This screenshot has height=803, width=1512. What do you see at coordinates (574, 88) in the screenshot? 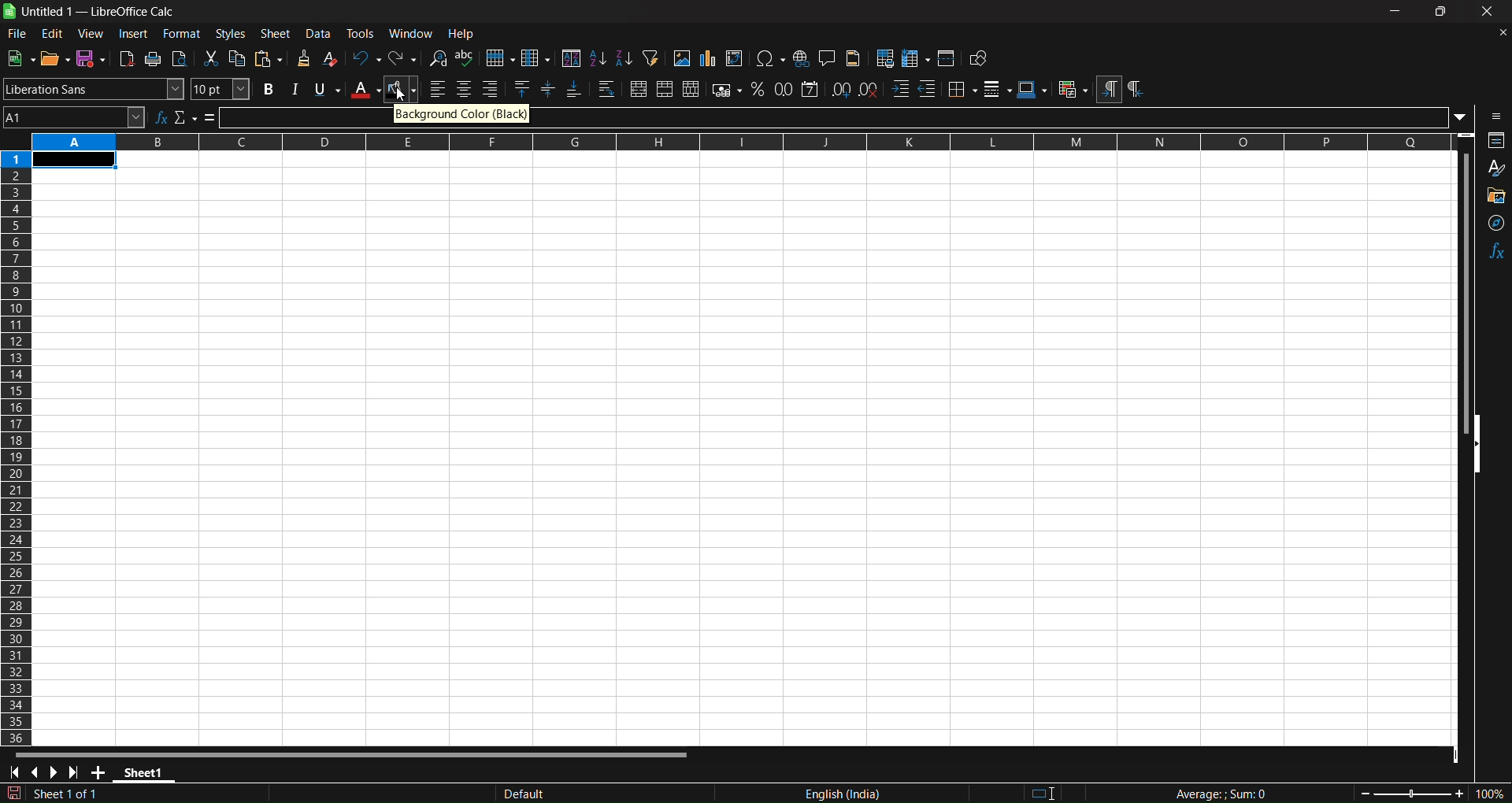
I see `align bottom` at bounding box center [574, 88].